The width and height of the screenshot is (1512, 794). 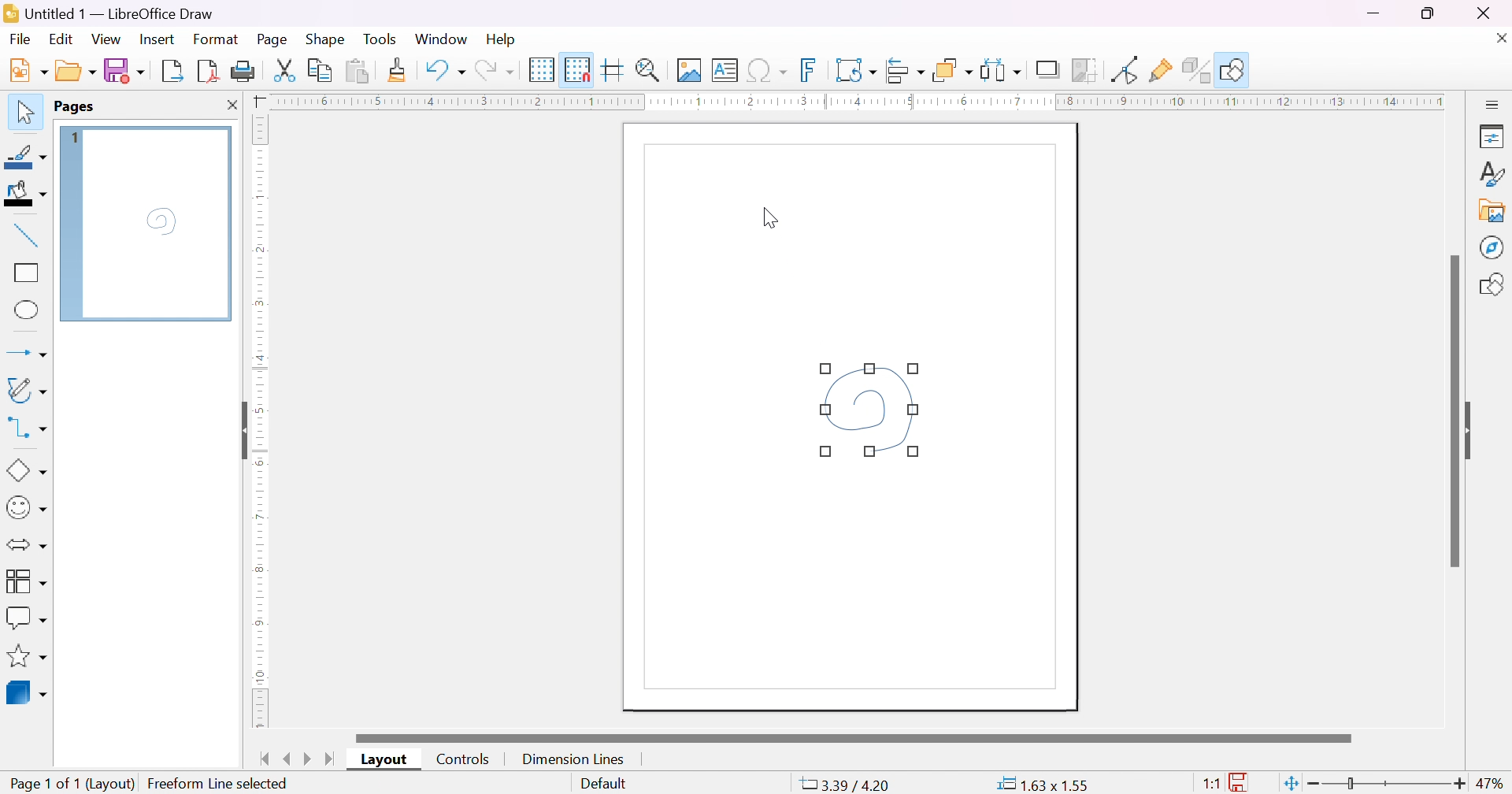 I want to click on rectangle, so click(x=27, y=271).